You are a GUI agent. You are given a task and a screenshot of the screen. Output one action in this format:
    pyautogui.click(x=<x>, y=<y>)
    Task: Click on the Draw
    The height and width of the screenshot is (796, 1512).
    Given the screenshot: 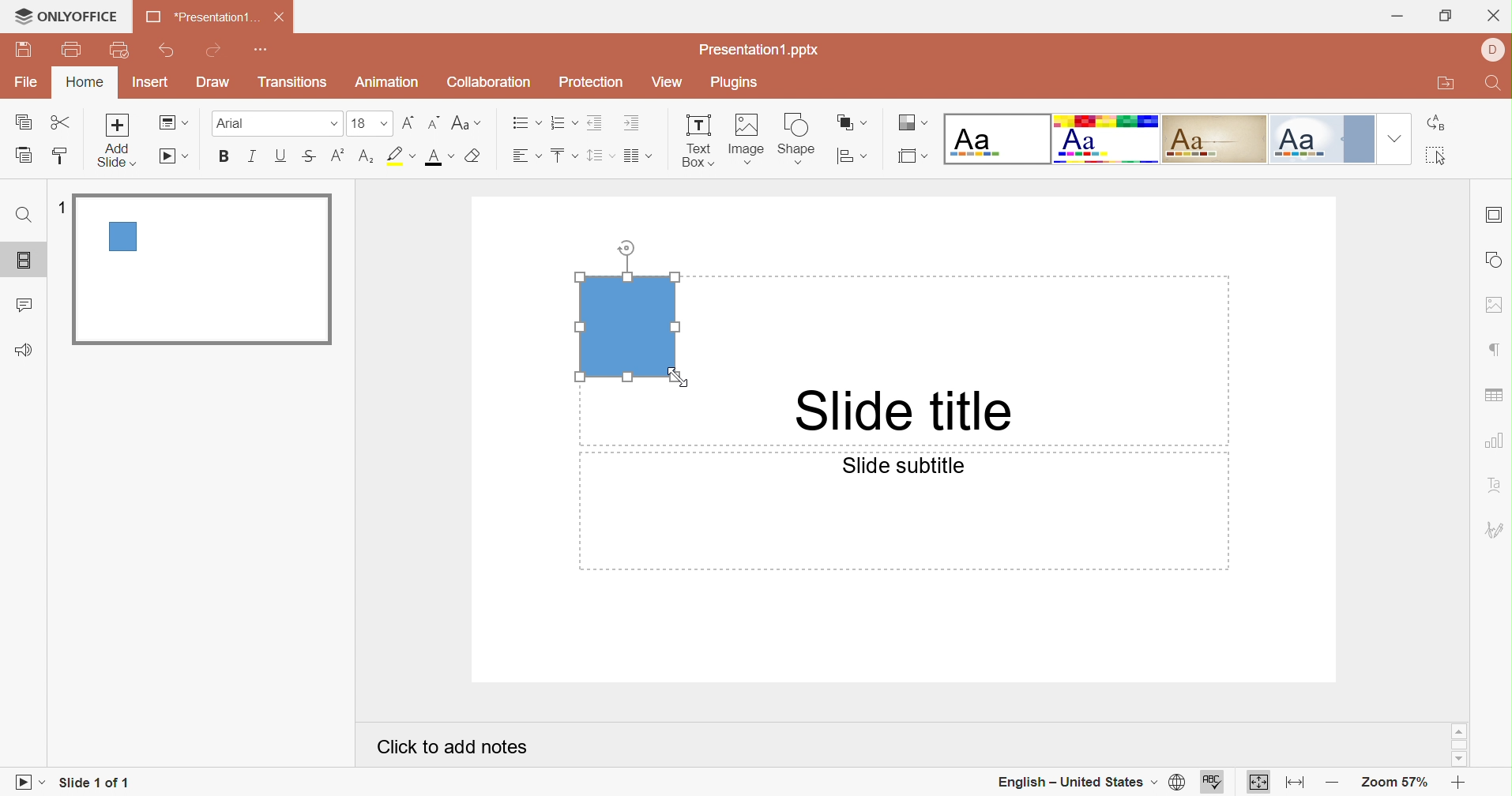 What is the action you would take?
    pyautogui.click(x=212, y=81)
    